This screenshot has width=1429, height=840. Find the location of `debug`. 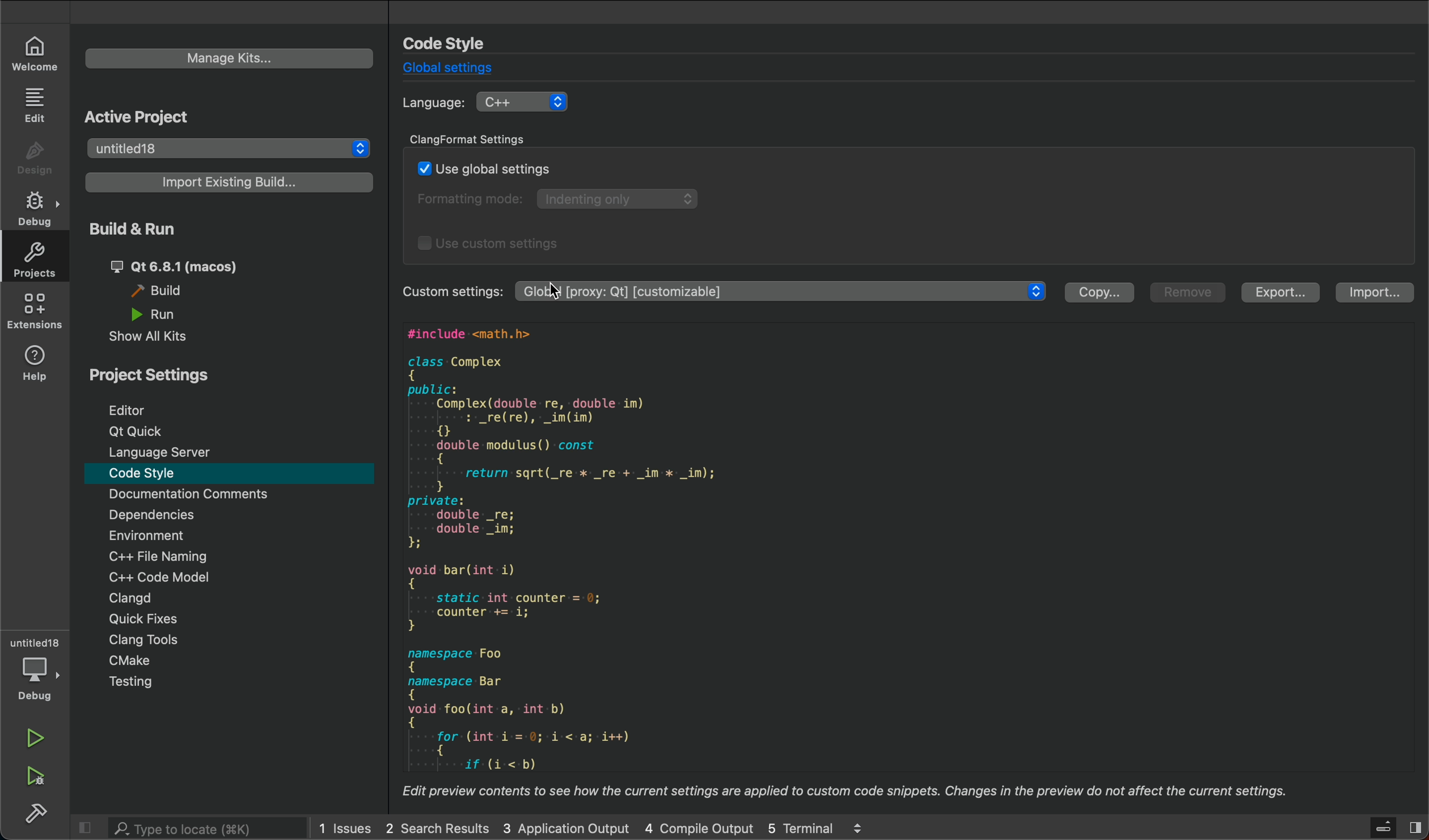

debug is located at coordinates (35, 209).